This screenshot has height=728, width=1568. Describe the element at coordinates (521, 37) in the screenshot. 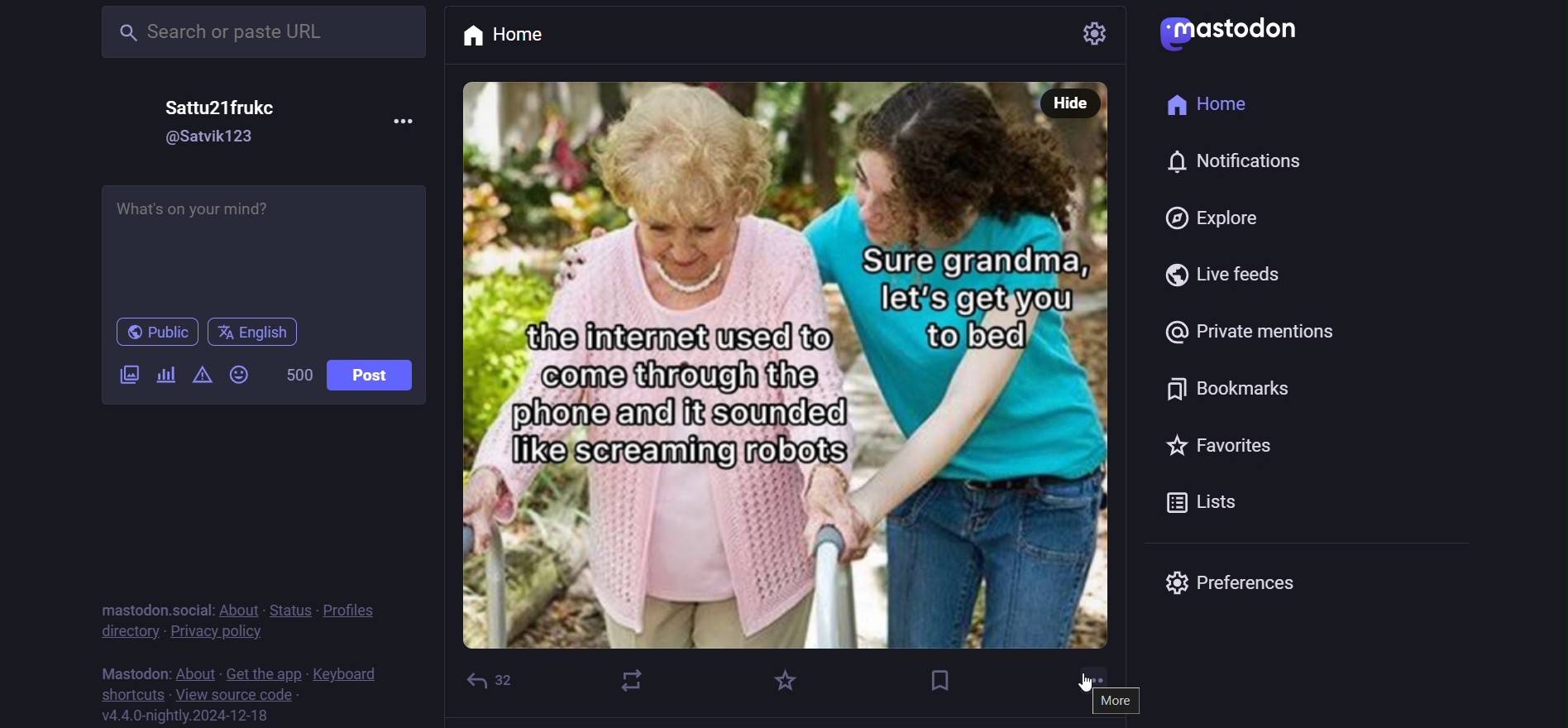

I see `home` at that location.